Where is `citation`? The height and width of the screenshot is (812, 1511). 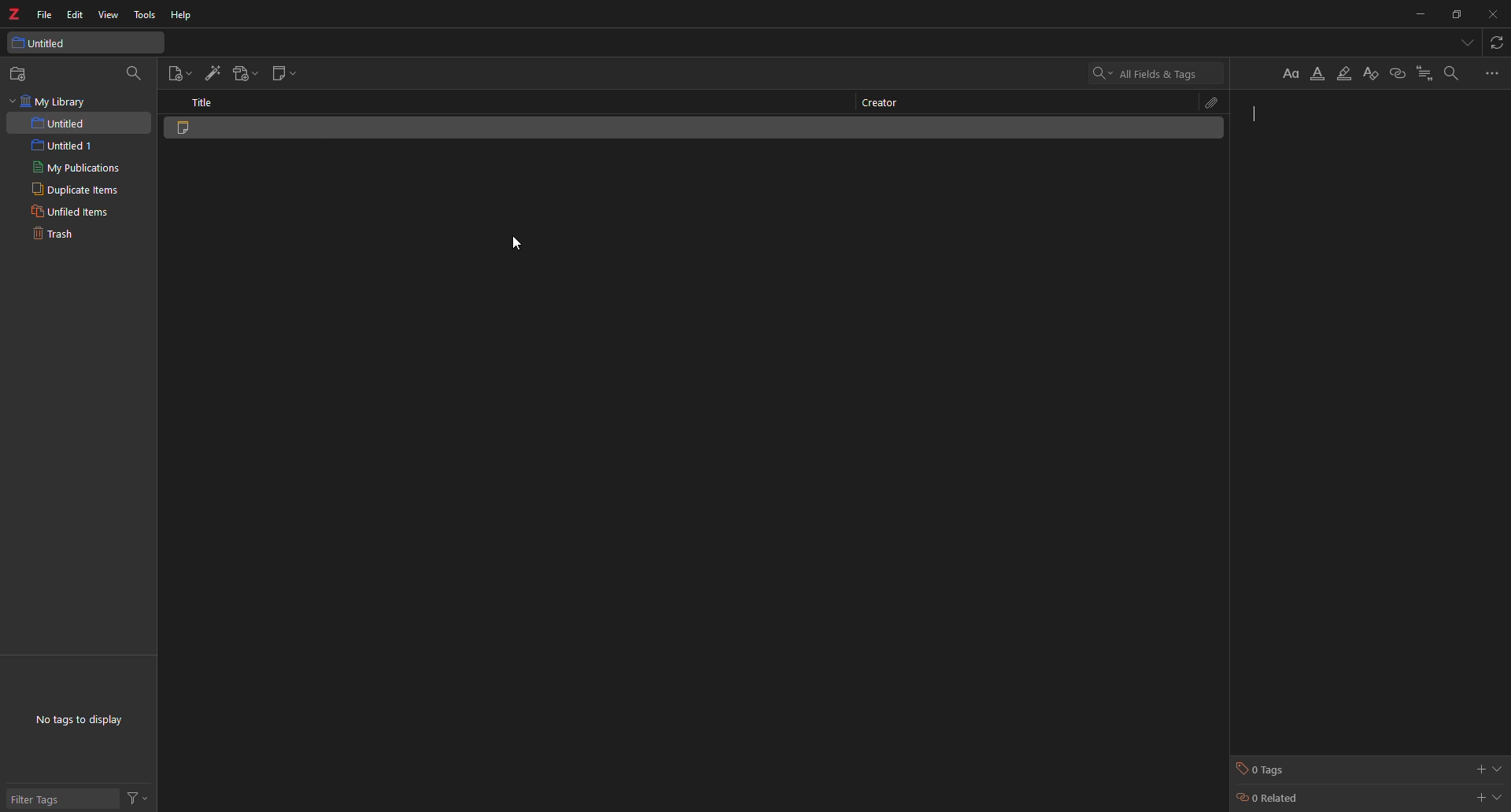
citation is located at coordinates (1428, 69).